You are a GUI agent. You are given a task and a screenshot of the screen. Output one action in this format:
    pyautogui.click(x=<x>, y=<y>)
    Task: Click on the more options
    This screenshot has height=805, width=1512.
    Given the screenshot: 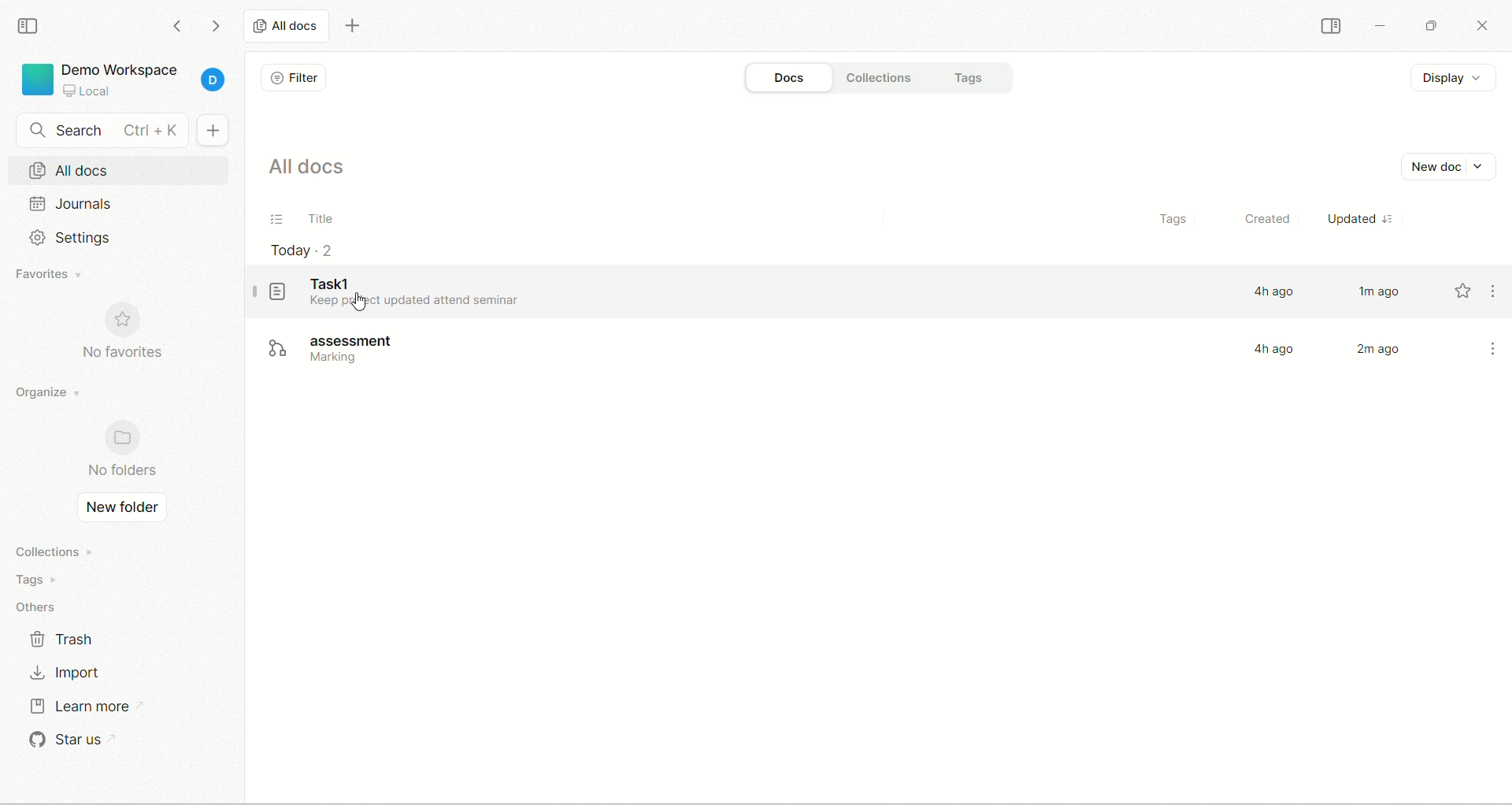 What is the action you would take?
    pyautogui.click(x=1495, y=347)
    